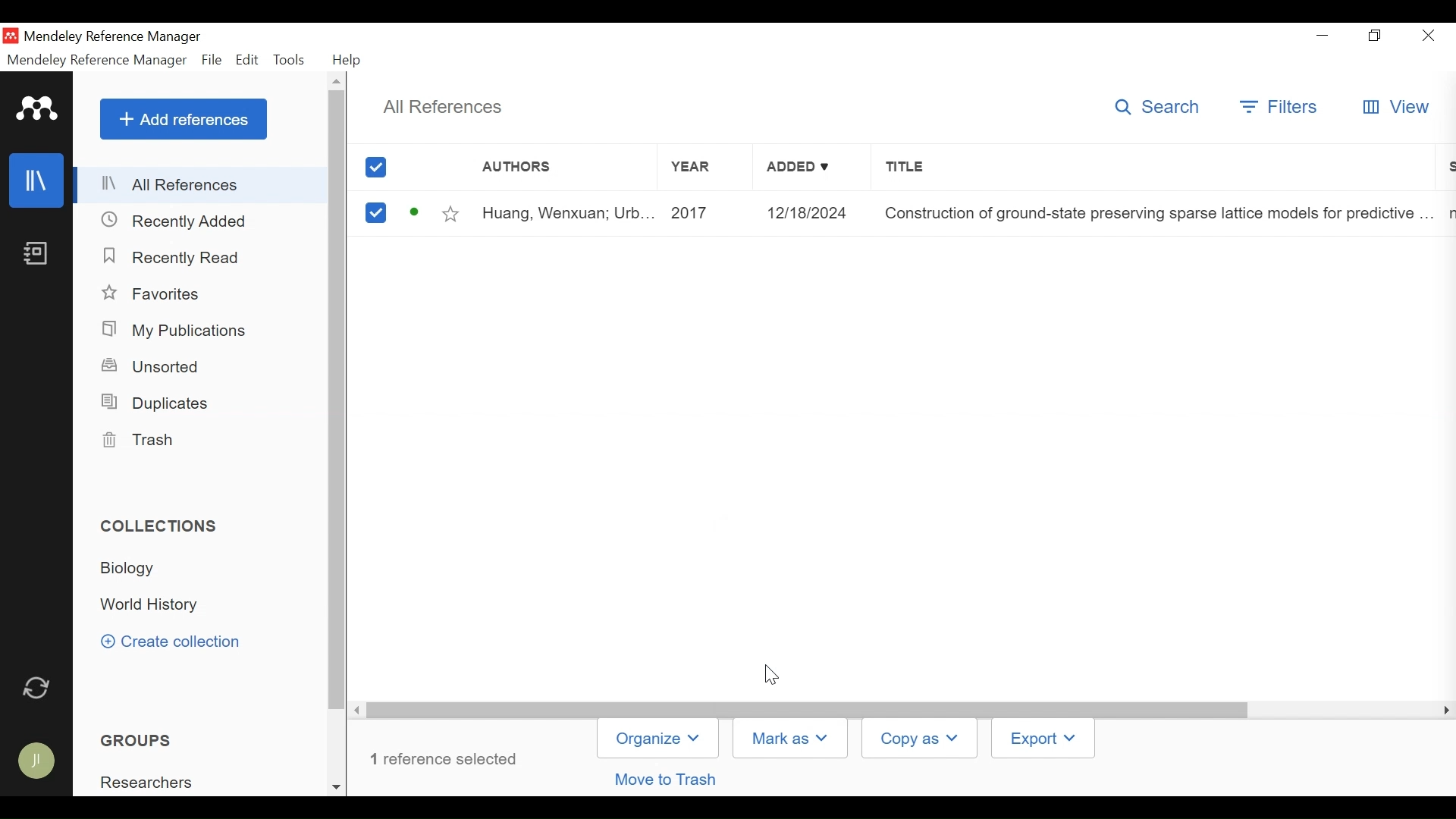 The width and height of the screenshot is (1456, 819). Describe the element at coordinates (35, 181) in the screenshot. I see `Library` at that location.